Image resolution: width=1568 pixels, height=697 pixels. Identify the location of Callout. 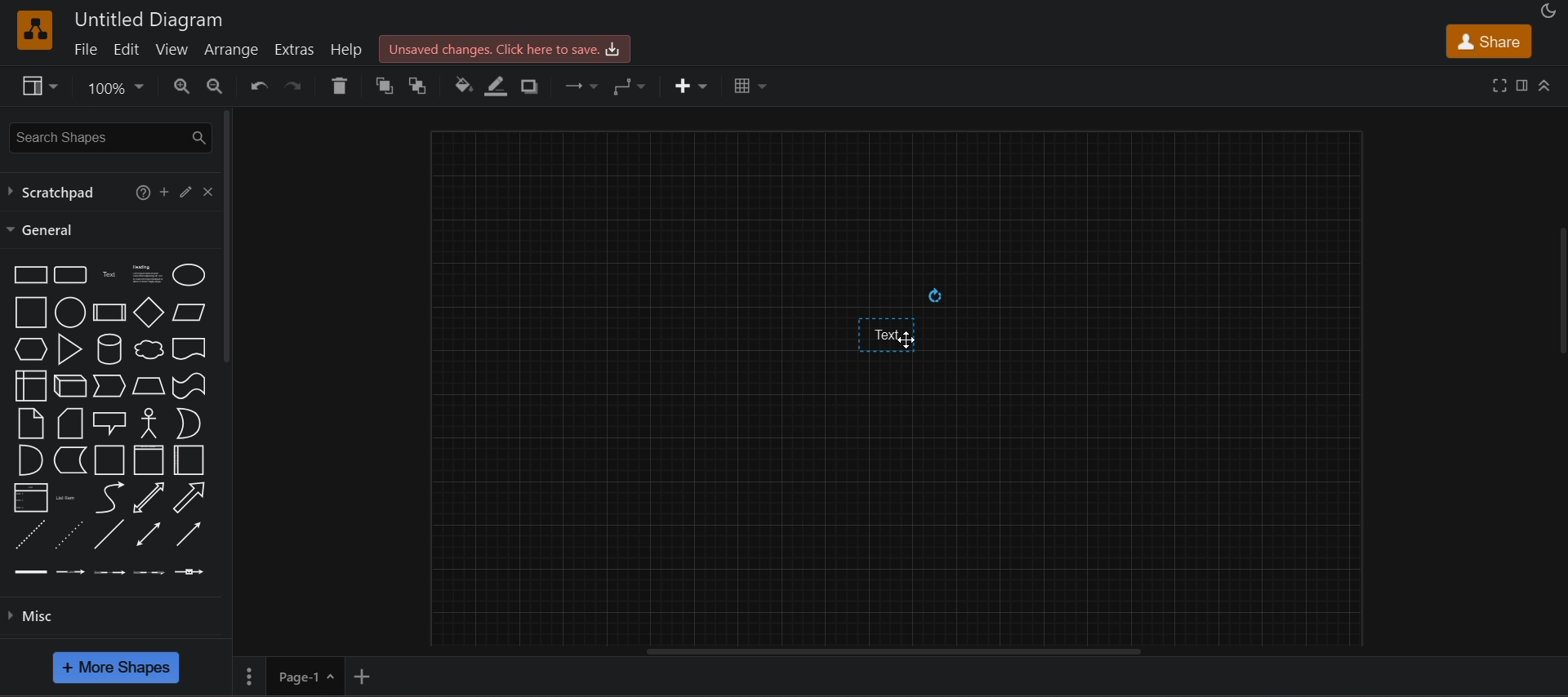
(109, 424).